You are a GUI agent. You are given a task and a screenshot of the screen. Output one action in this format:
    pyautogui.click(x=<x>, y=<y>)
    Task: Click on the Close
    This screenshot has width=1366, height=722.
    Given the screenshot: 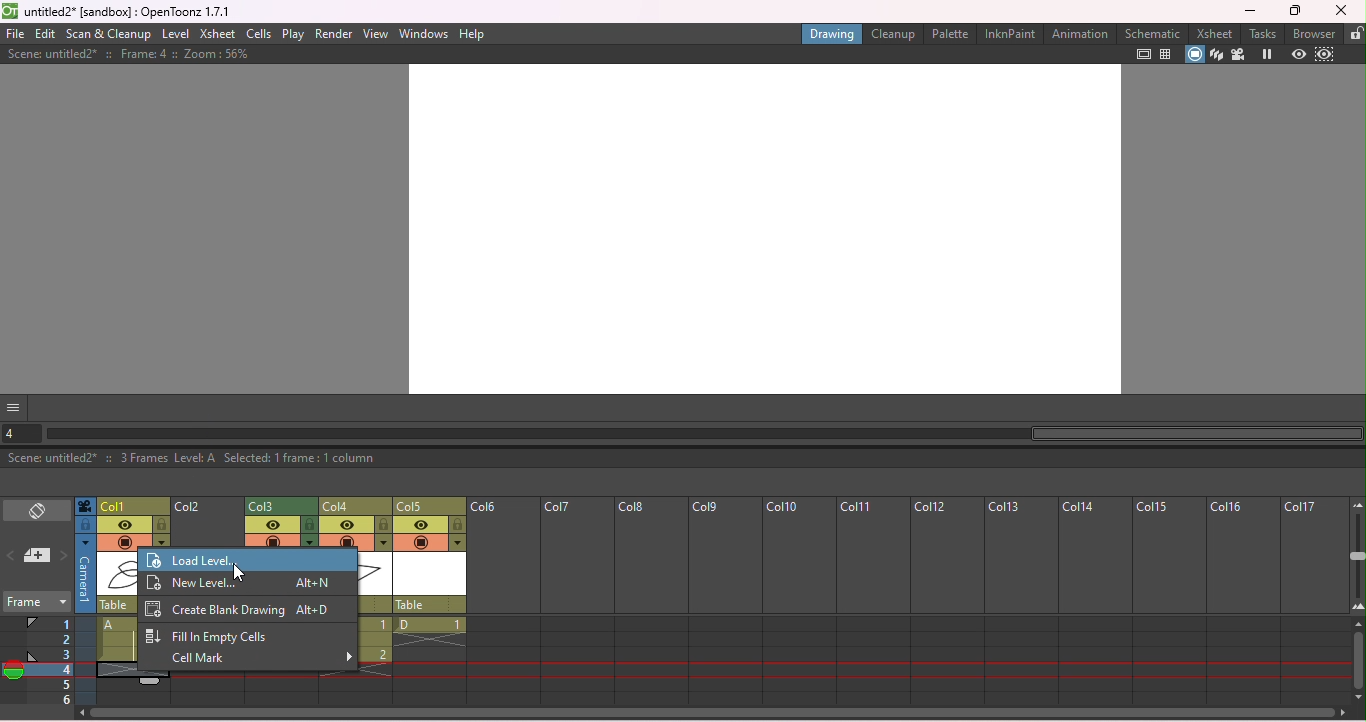 What is the action you would take?
    pyautogui.click(x=1341, y=10)
    